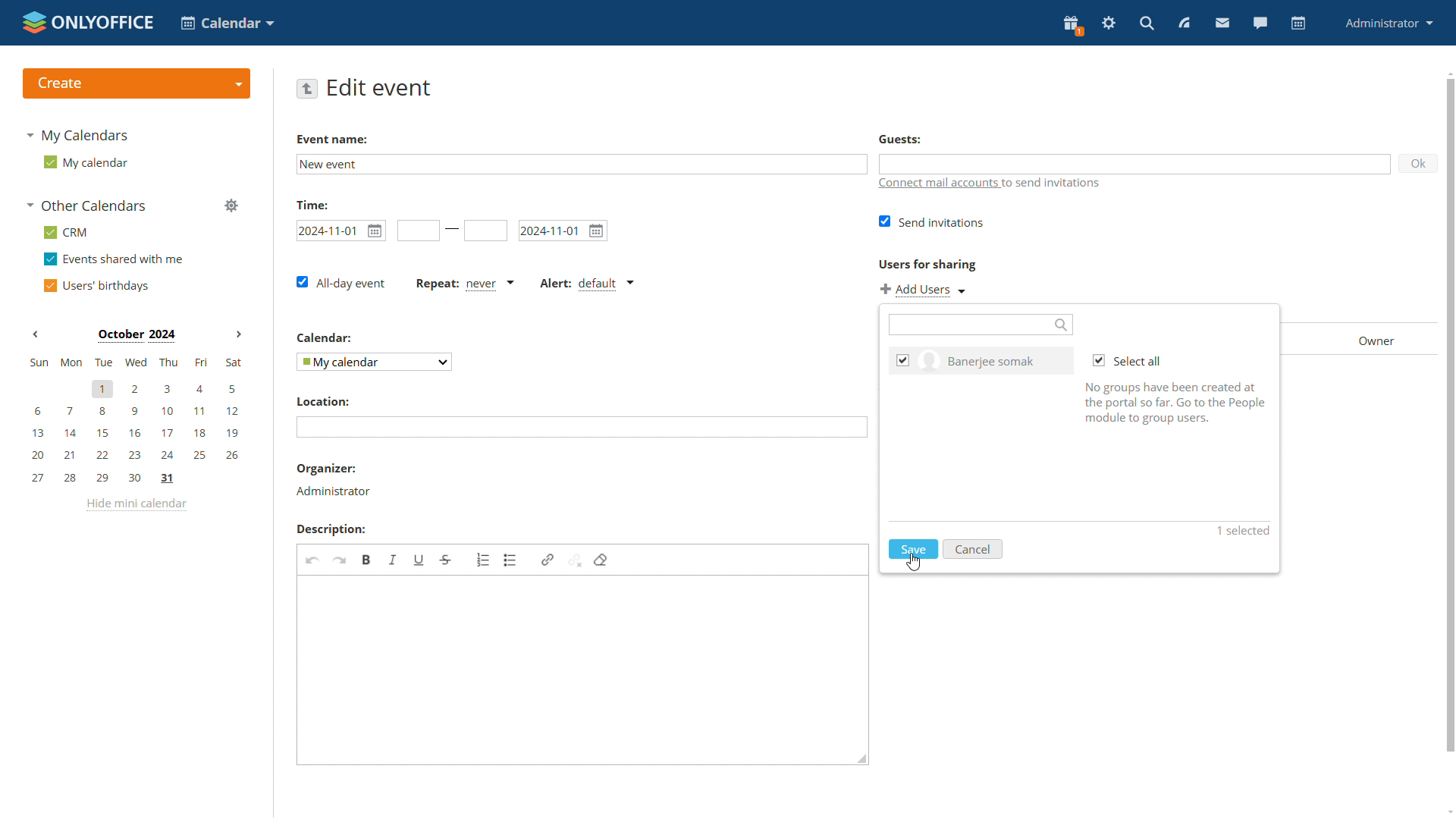 The image size is (1456, 819). I want to click on owner, so click(1366, 337).